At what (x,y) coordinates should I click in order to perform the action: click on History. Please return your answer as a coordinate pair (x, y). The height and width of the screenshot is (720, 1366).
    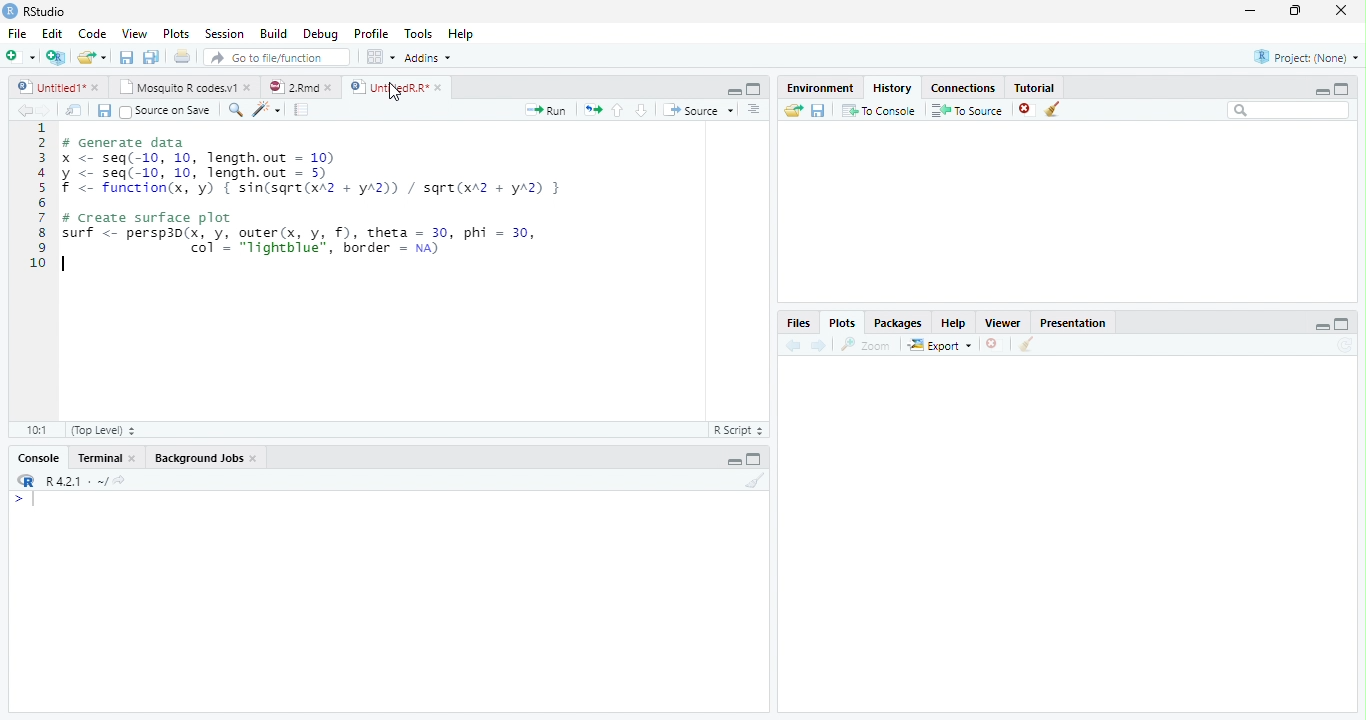
    Looking at the image, I should click on (893, 87).